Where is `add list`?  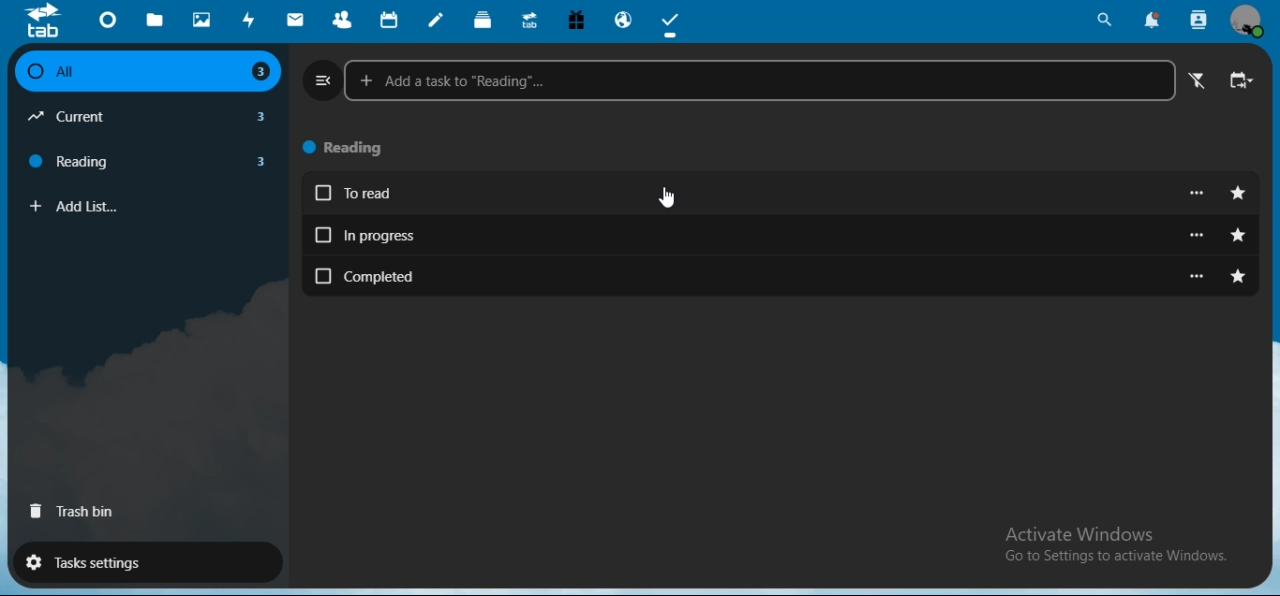
add list is located at coordinates (155, 207).